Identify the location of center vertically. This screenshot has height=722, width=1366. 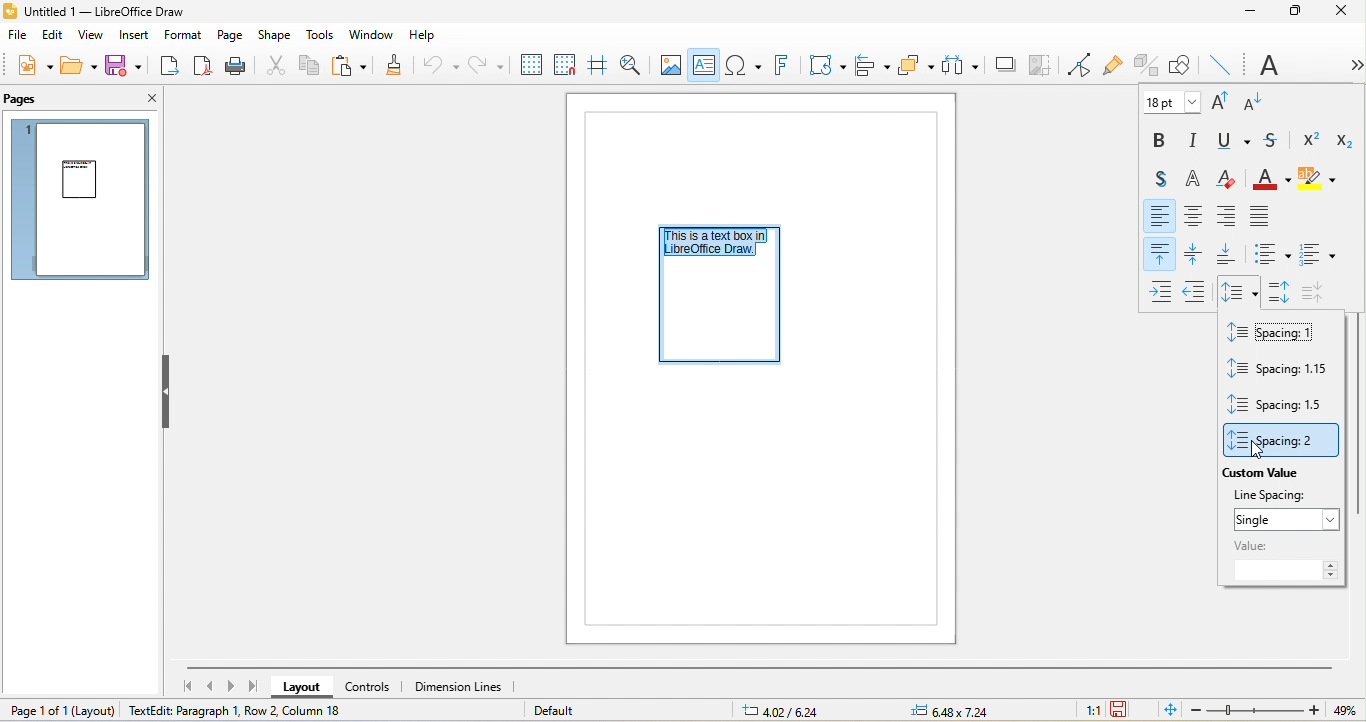
(1197, 253).